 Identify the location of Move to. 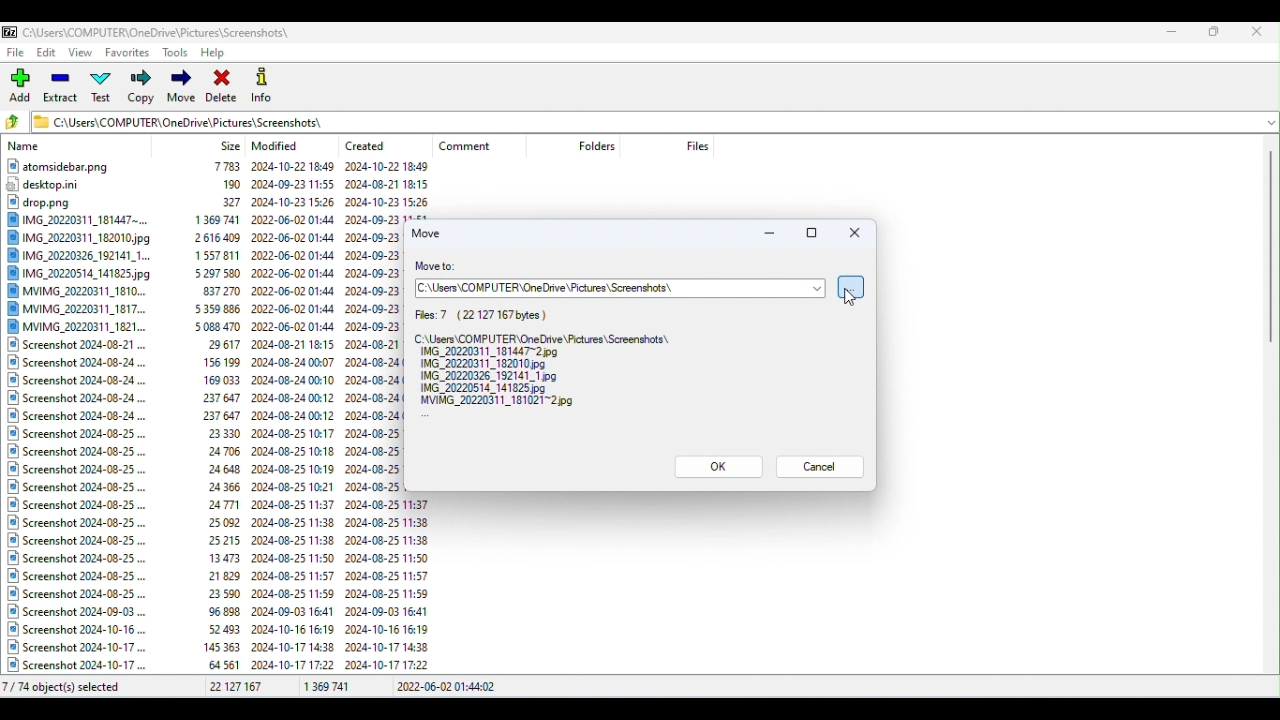
(443, 267).